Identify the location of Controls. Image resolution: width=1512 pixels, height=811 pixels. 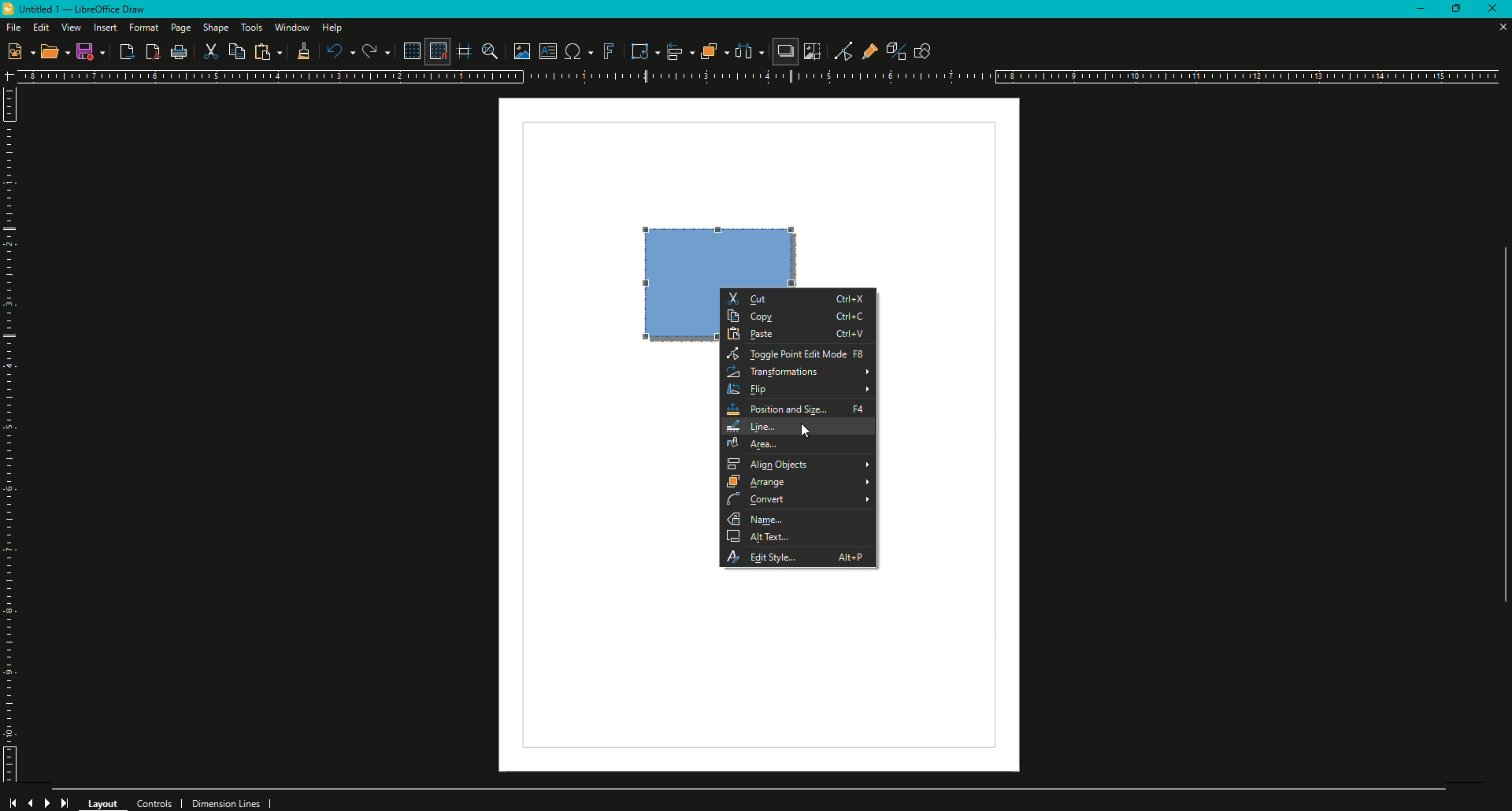
(159, 802).